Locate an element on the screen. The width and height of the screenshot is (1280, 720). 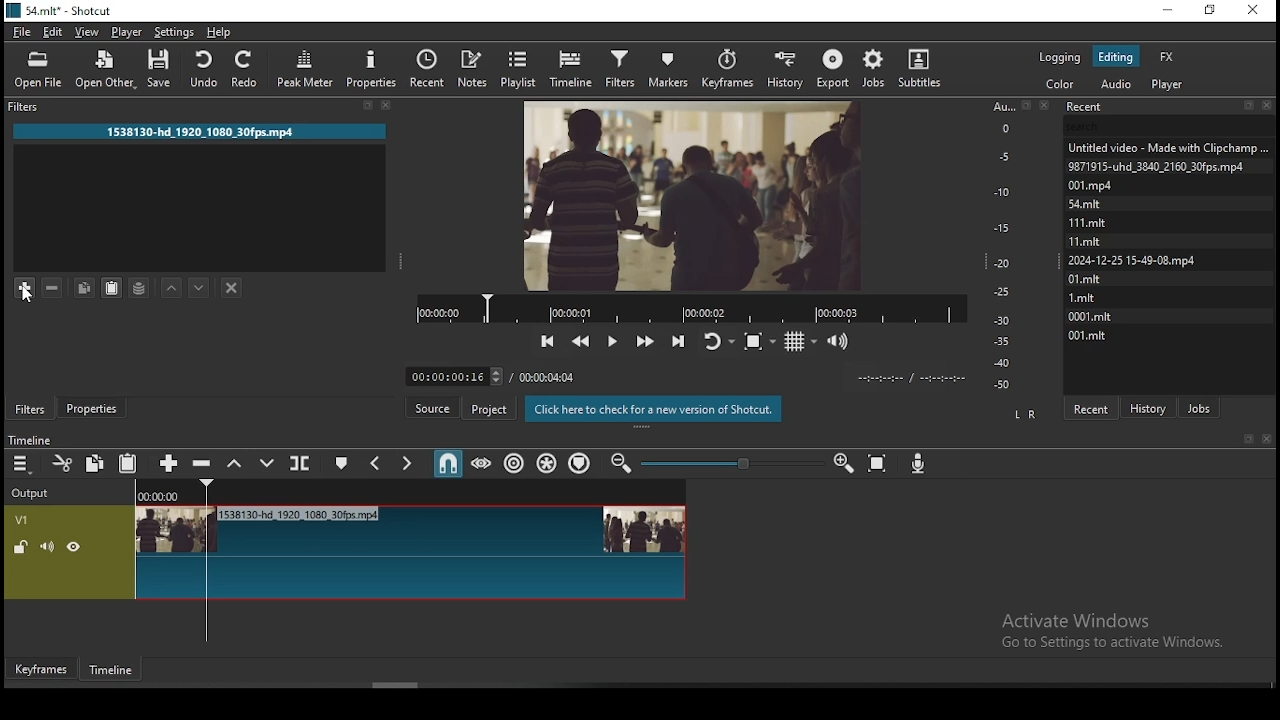
toggle player looping is located at coordinates (718, 340).